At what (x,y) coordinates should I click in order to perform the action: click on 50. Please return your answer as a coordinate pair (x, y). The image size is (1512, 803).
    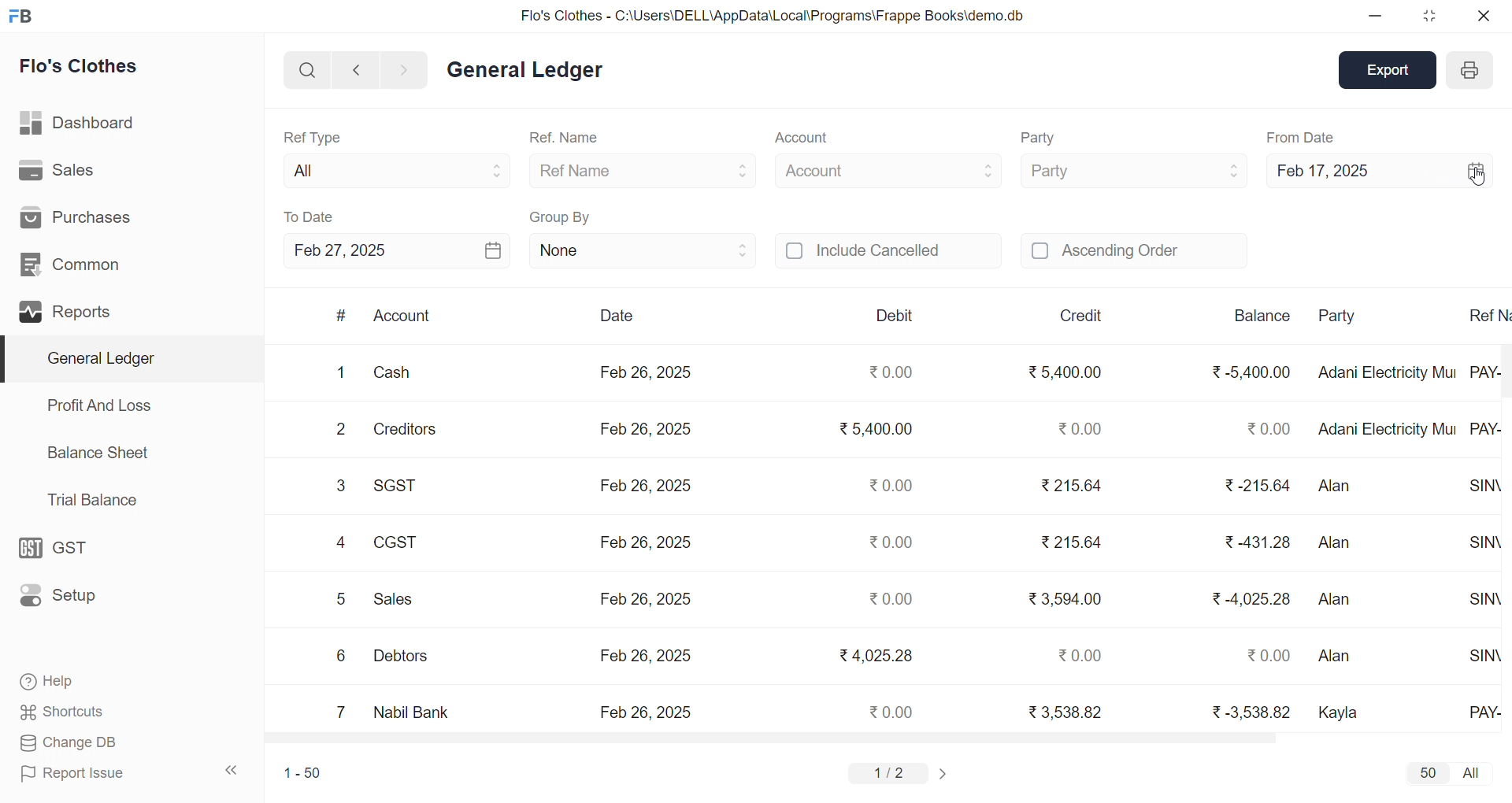
    Looking at the image, I should click on (1427, 772).